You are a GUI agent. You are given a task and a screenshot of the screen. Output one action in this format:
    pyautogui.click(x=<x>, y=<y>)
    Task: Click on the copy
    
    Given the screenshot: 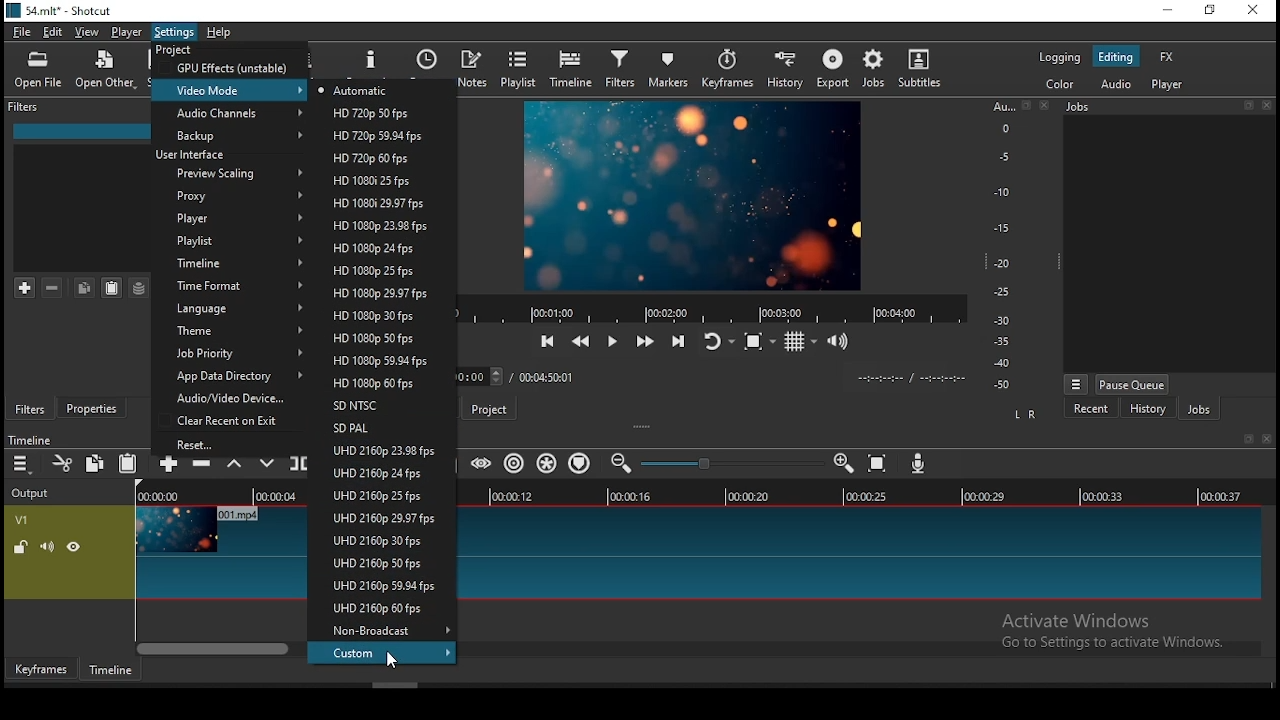 What is the action you would take?
    pyautogui.click(x=97, y=467)
    